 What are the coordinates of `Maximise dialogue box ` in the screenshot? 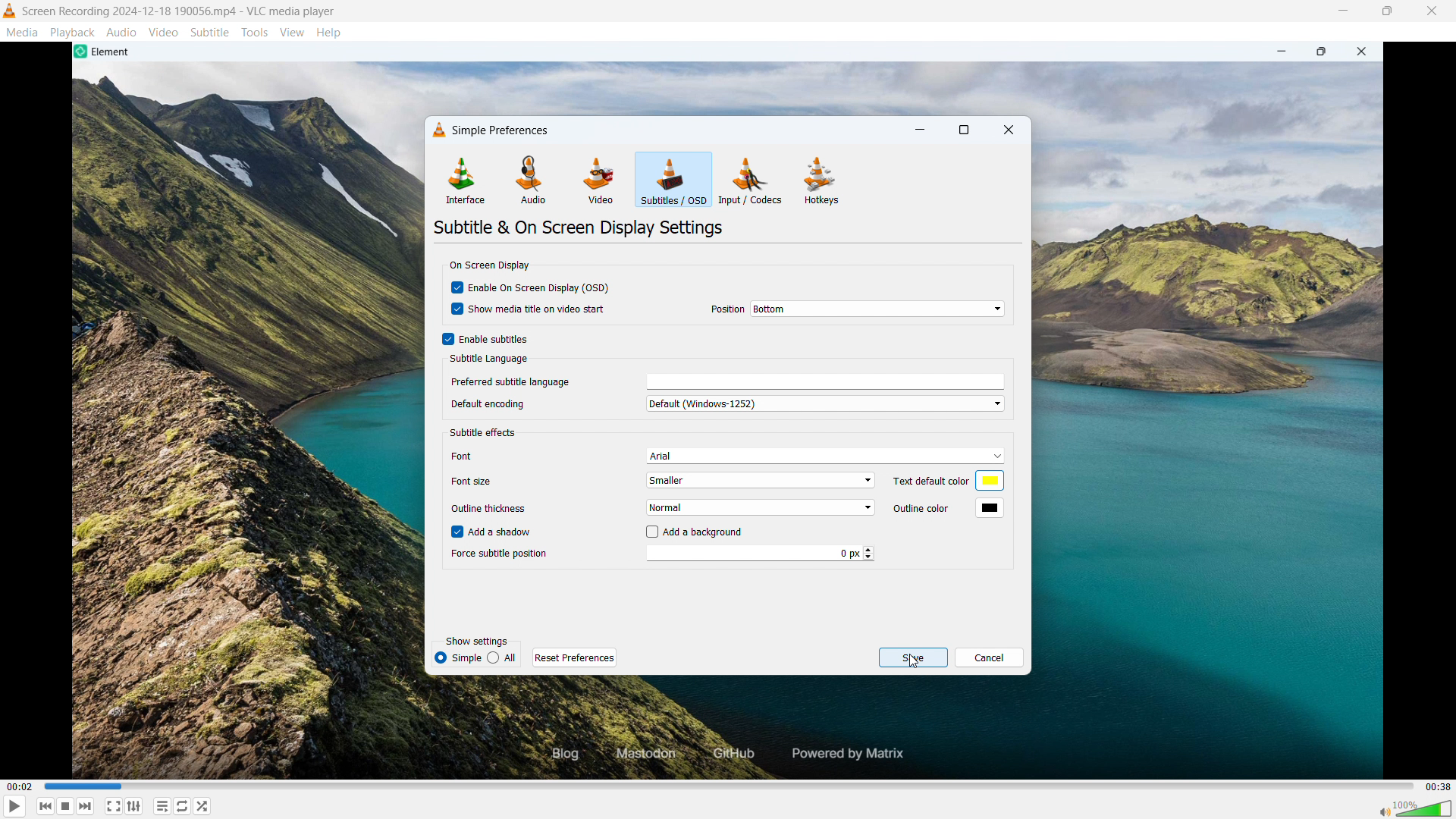 It's located at (965, 130).